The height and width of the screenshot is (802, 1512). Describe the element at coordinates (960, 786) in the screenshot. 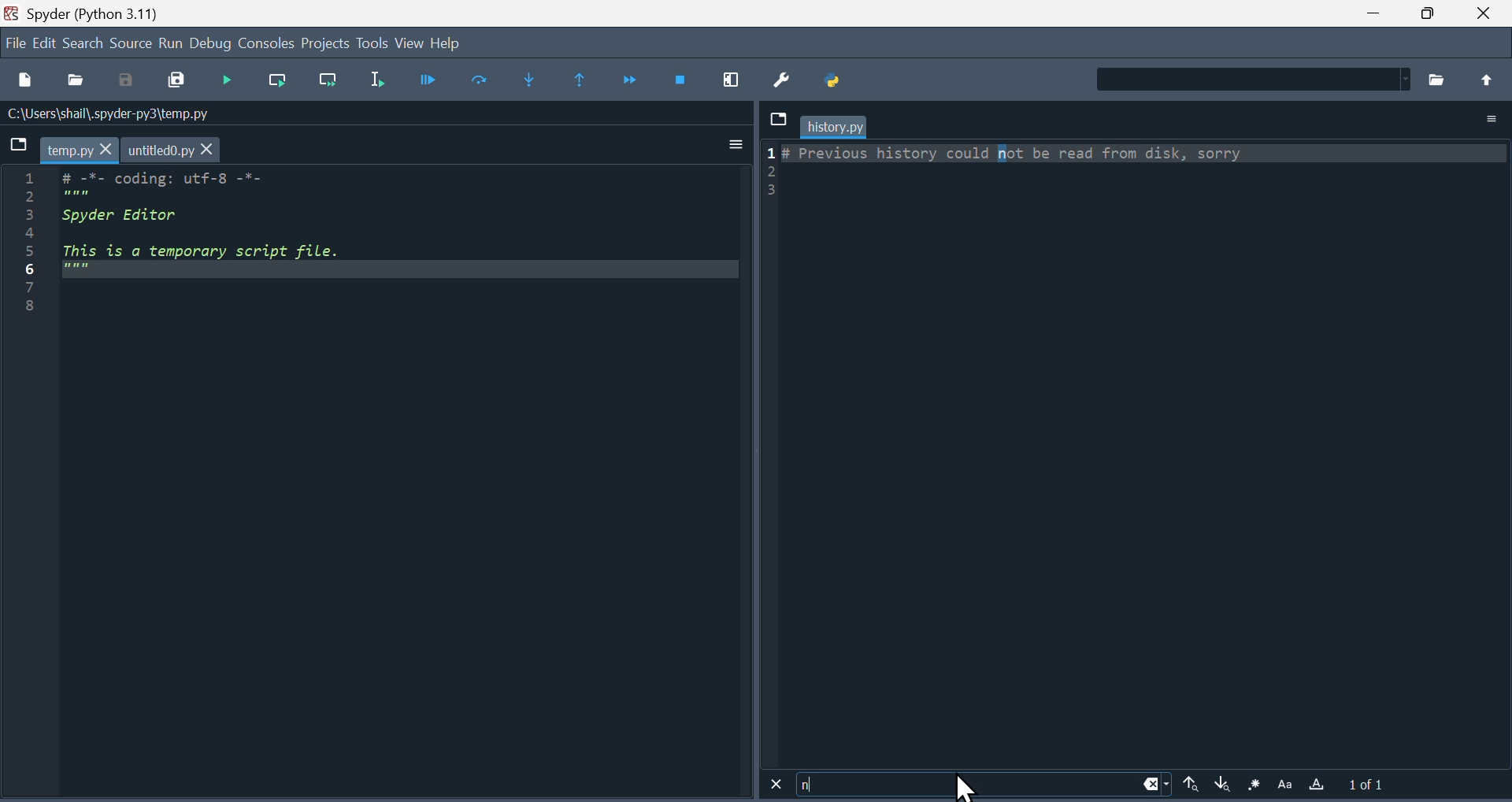

I see `Cursor` at that location.